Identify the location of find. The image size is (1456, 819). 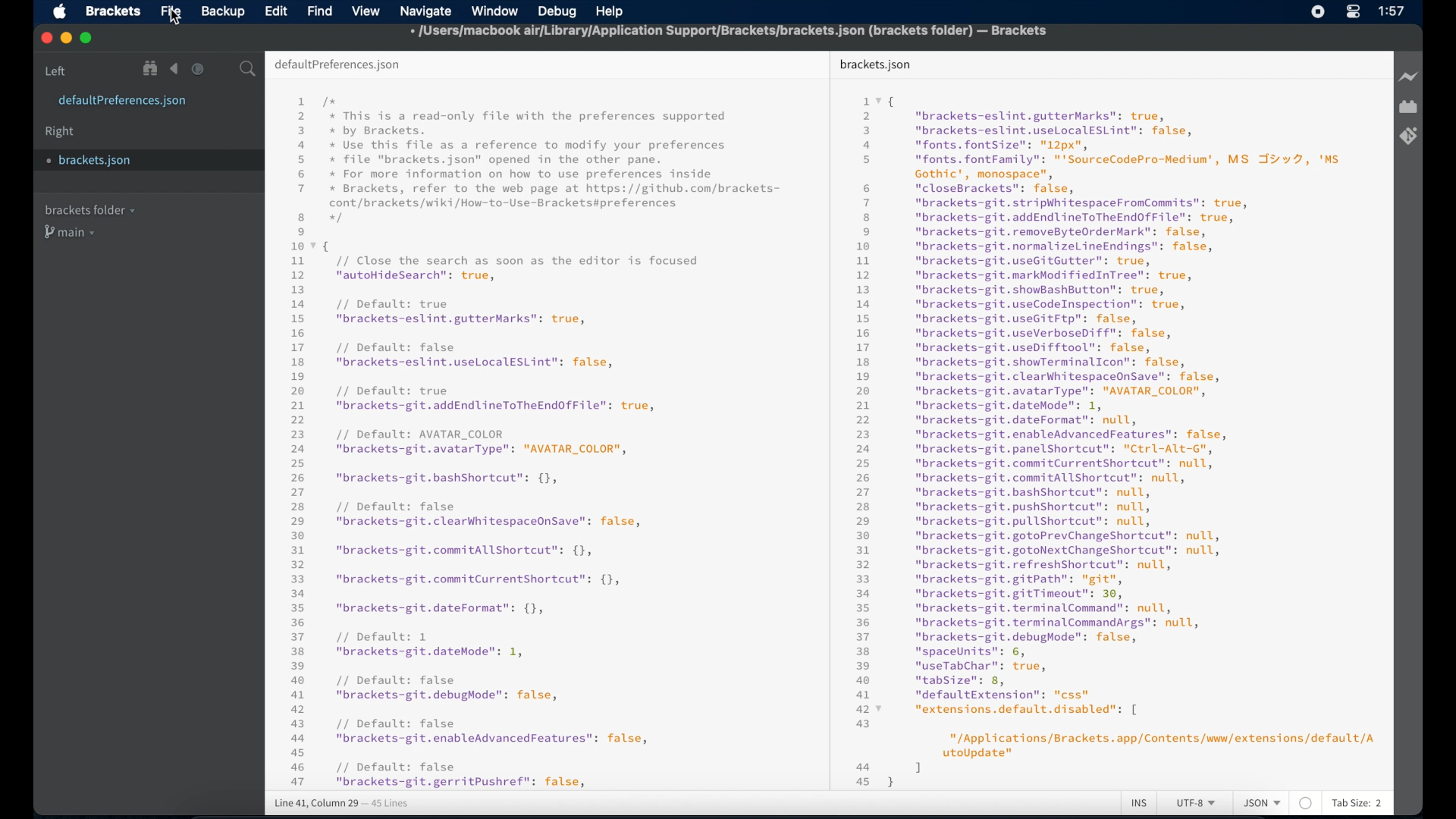
(320, 11).